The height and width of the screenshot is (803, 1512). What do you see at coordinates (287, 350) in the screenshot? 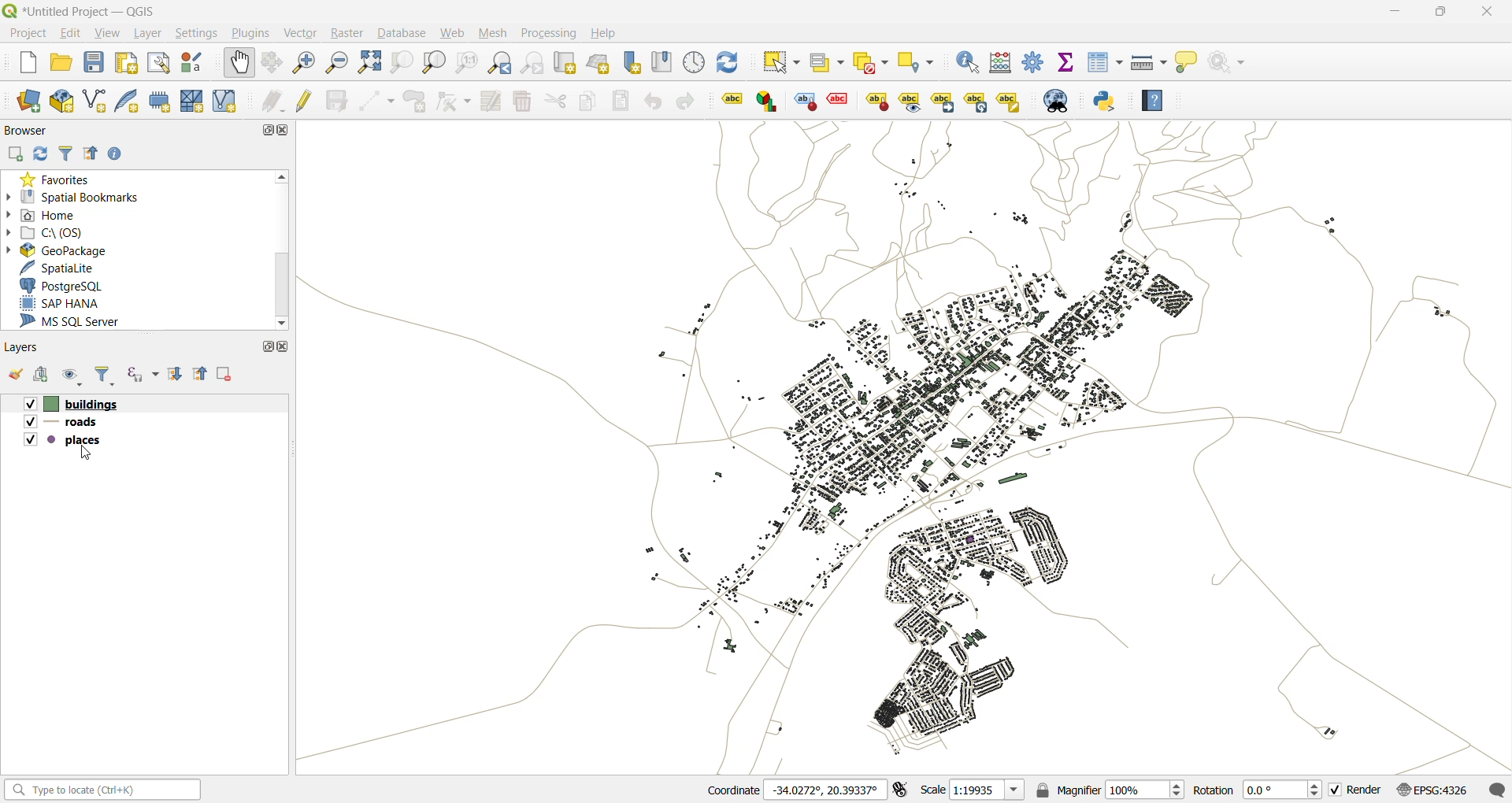
I see `close` at bounding box center [287, 350].